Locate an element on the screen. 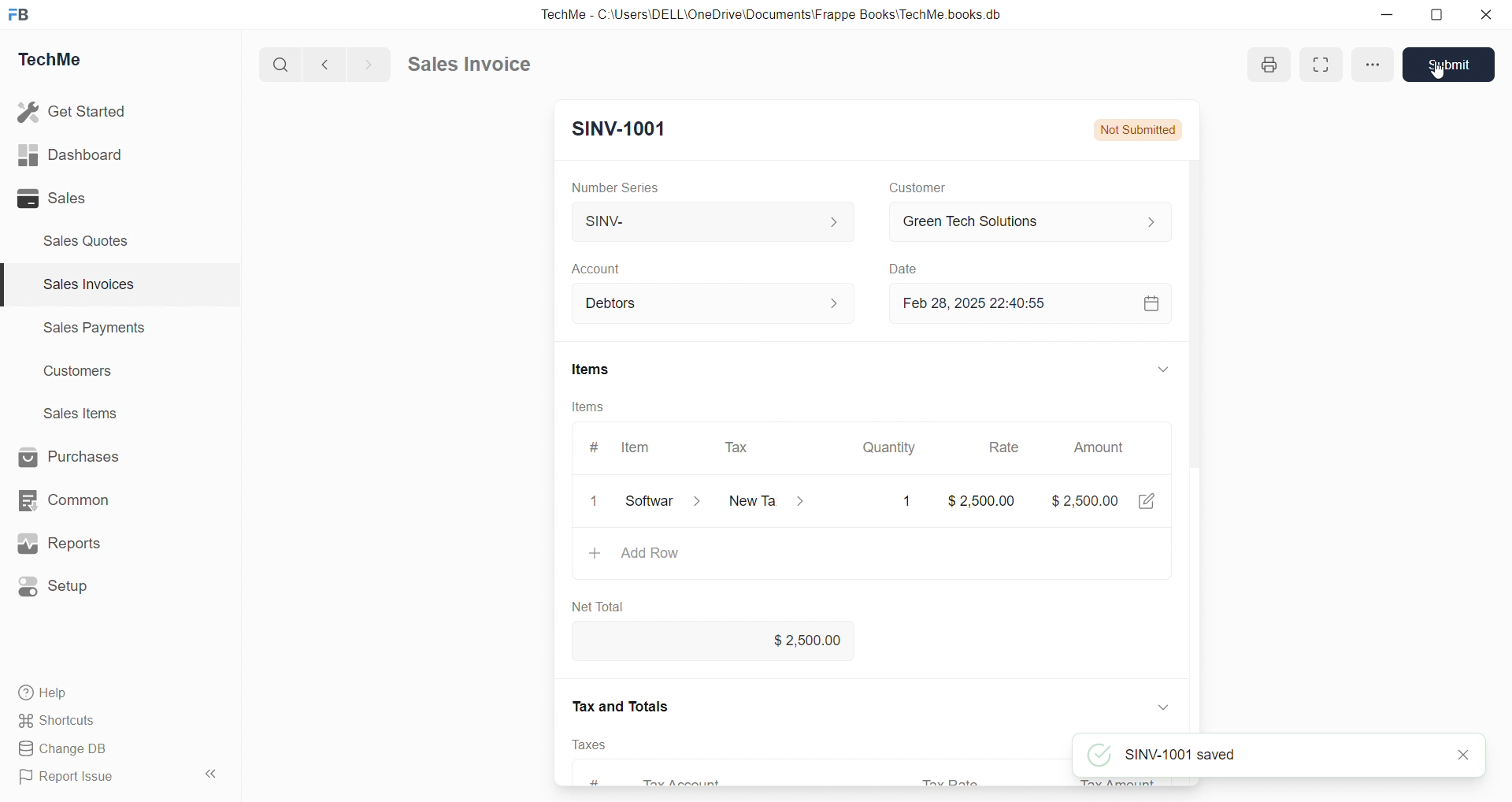  Dashboard is located at coordinates (70, 154).